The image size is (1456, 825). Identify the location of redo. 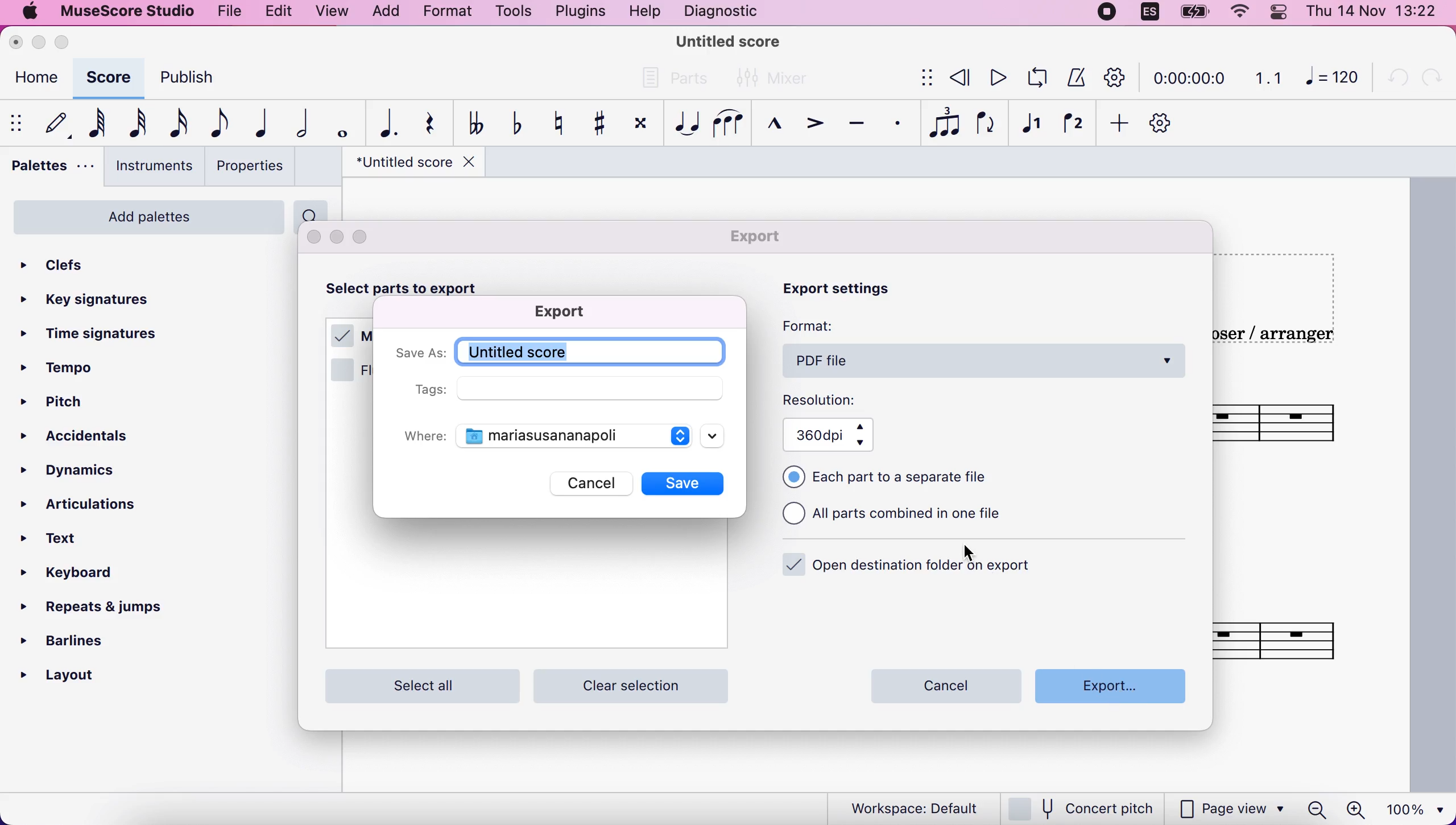
(1432, 81).